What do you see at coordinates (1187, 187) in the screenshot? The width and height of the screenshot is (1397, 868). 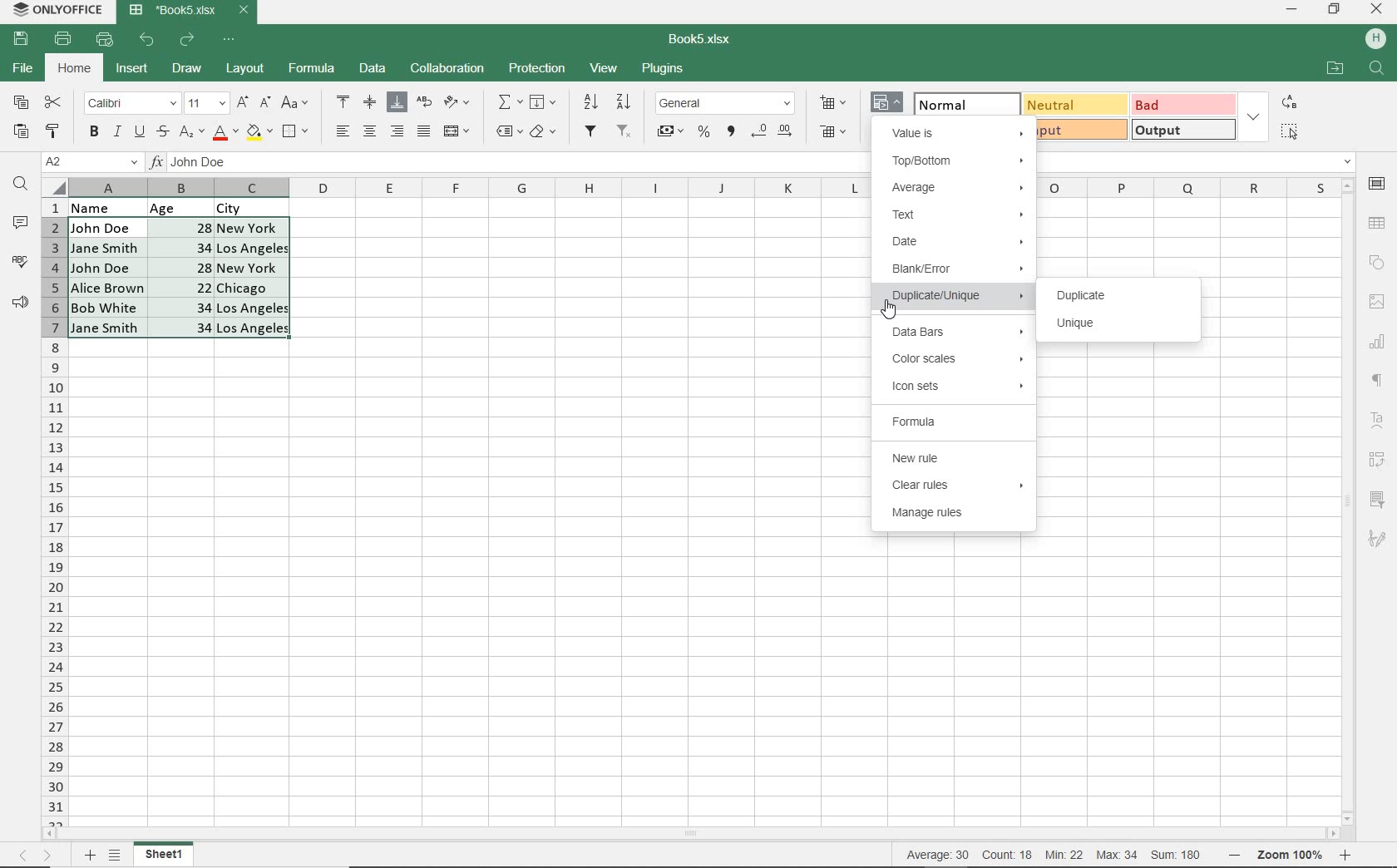 I see `columns` at bounding box center [1187, 187].